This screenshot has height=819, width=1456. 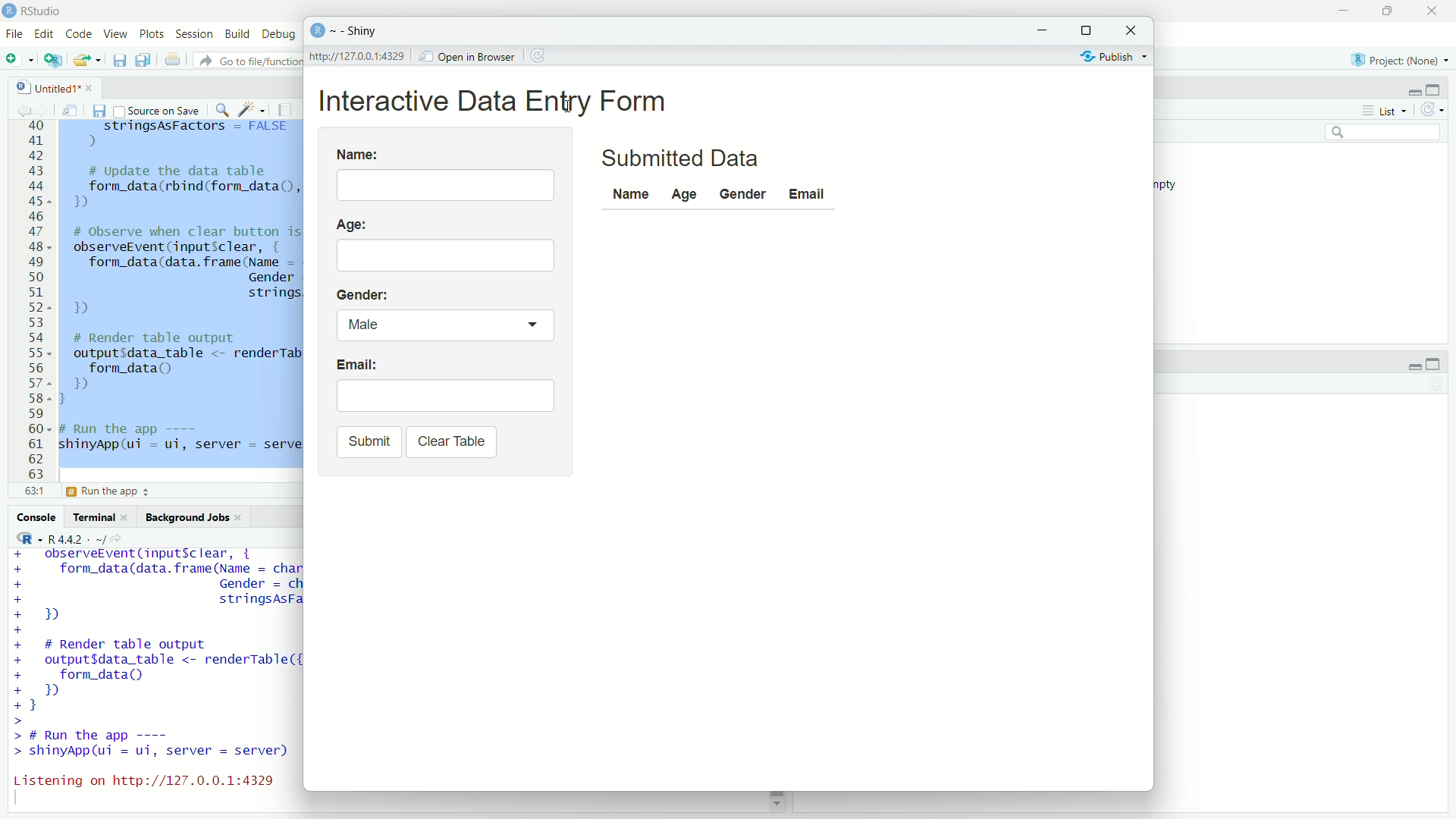 What do you see at coordinates (152, 745) in the screenshot?
I see `code to run the app` at bounding box center [152, 745].